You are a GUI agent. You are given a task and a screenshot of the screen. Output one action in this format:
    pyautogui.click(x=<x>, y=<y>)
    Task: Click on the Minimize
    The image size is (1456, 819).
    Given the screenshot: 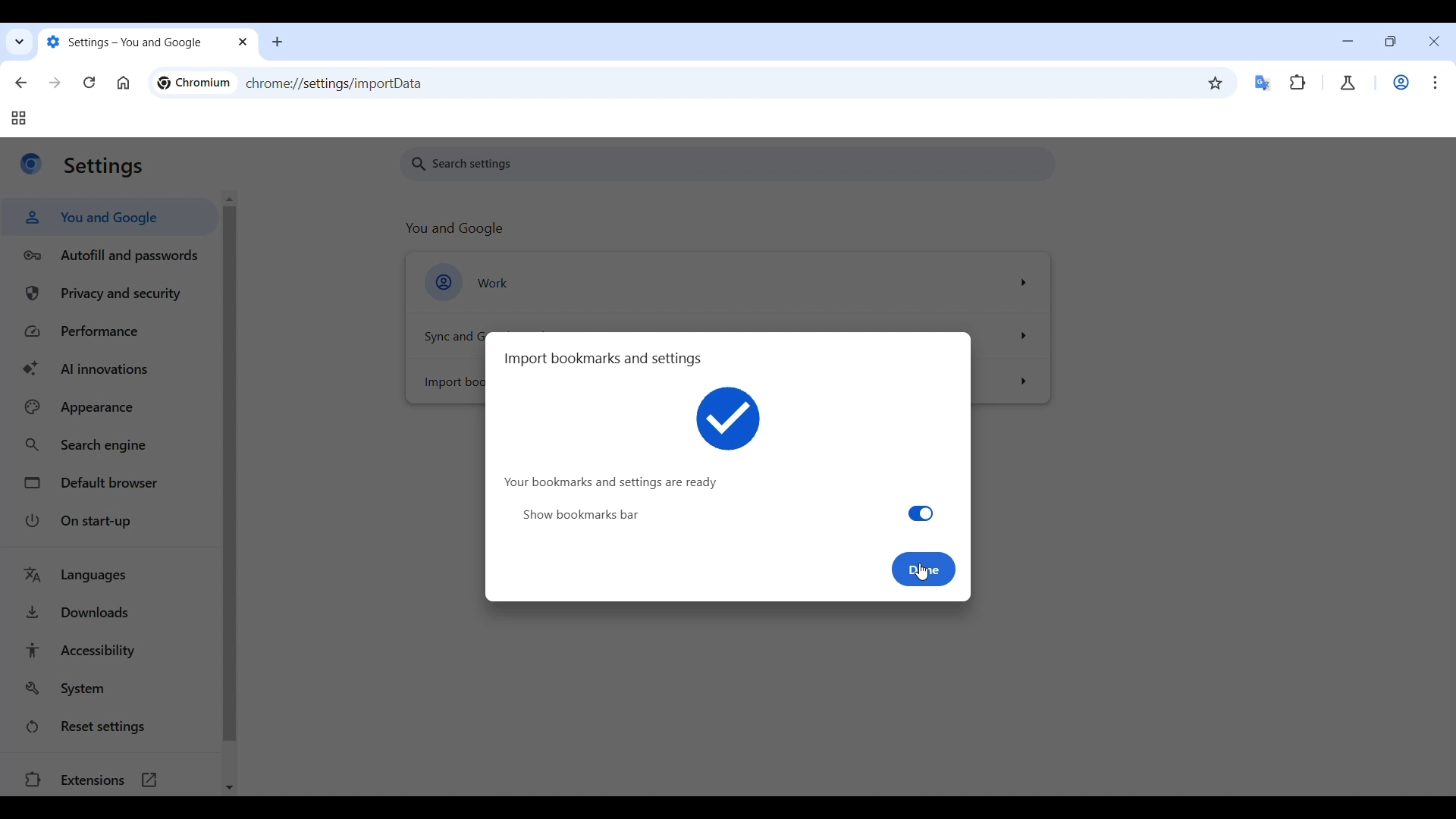 What is the action you would take?
    pyautogui.click(x=1348, y=41)
    